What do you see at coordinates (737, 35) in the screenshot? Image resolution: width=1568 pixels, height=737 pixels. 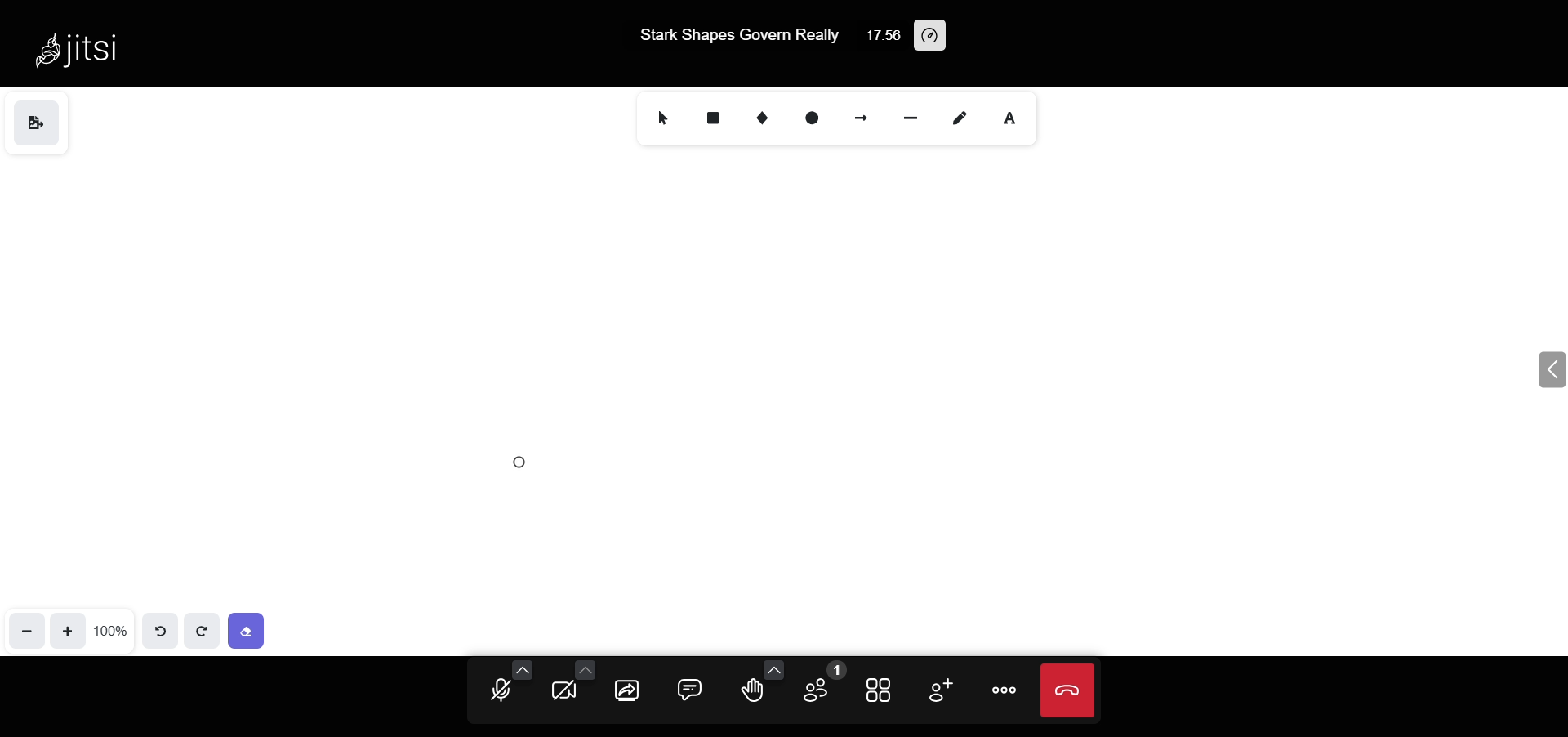 I see `Stark Shapes Govern Really` at bounding box center [737, 35].